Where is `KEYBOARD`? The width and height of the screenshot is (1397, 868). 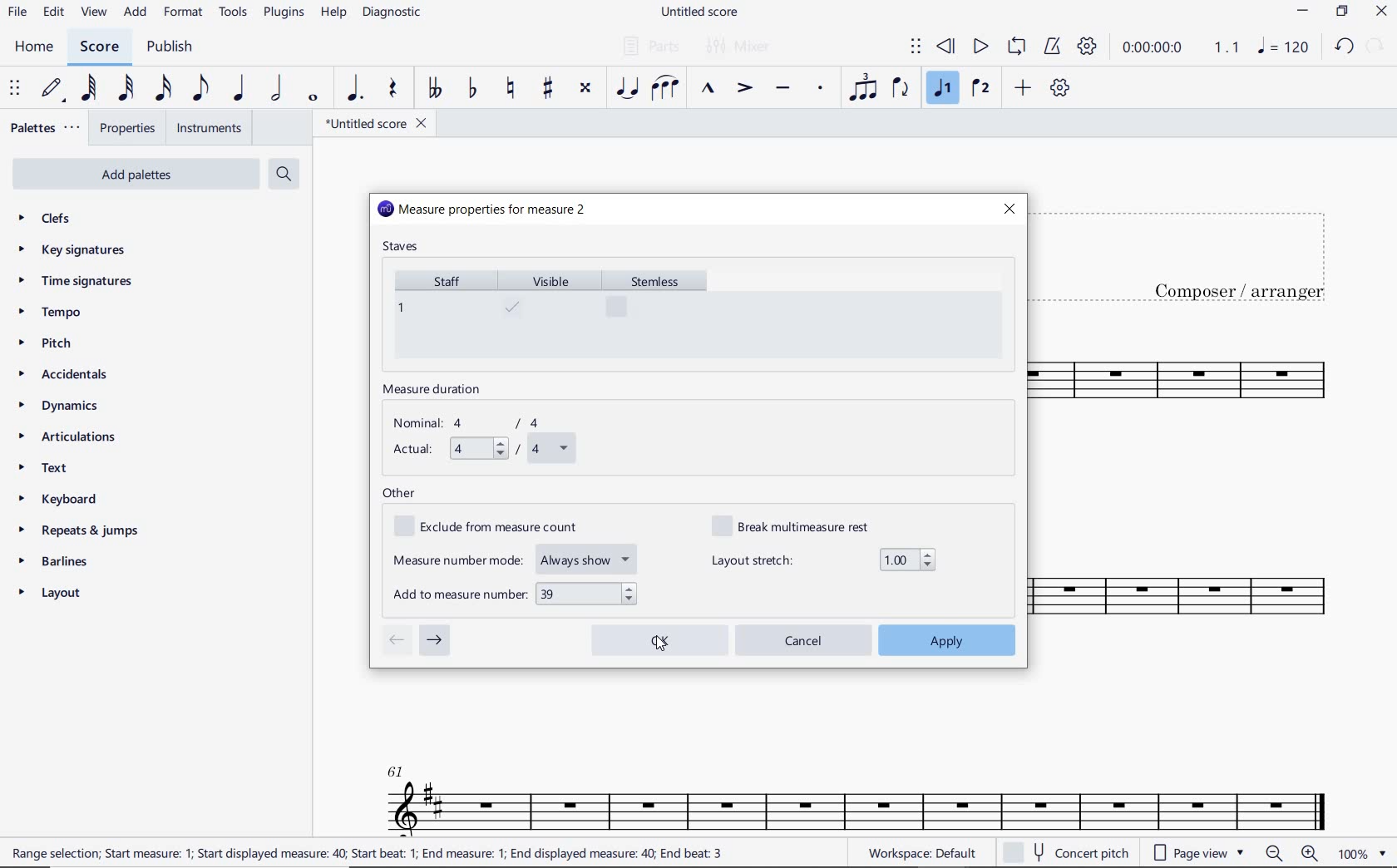 KEYBOARD is located at coordinates (72, 501).